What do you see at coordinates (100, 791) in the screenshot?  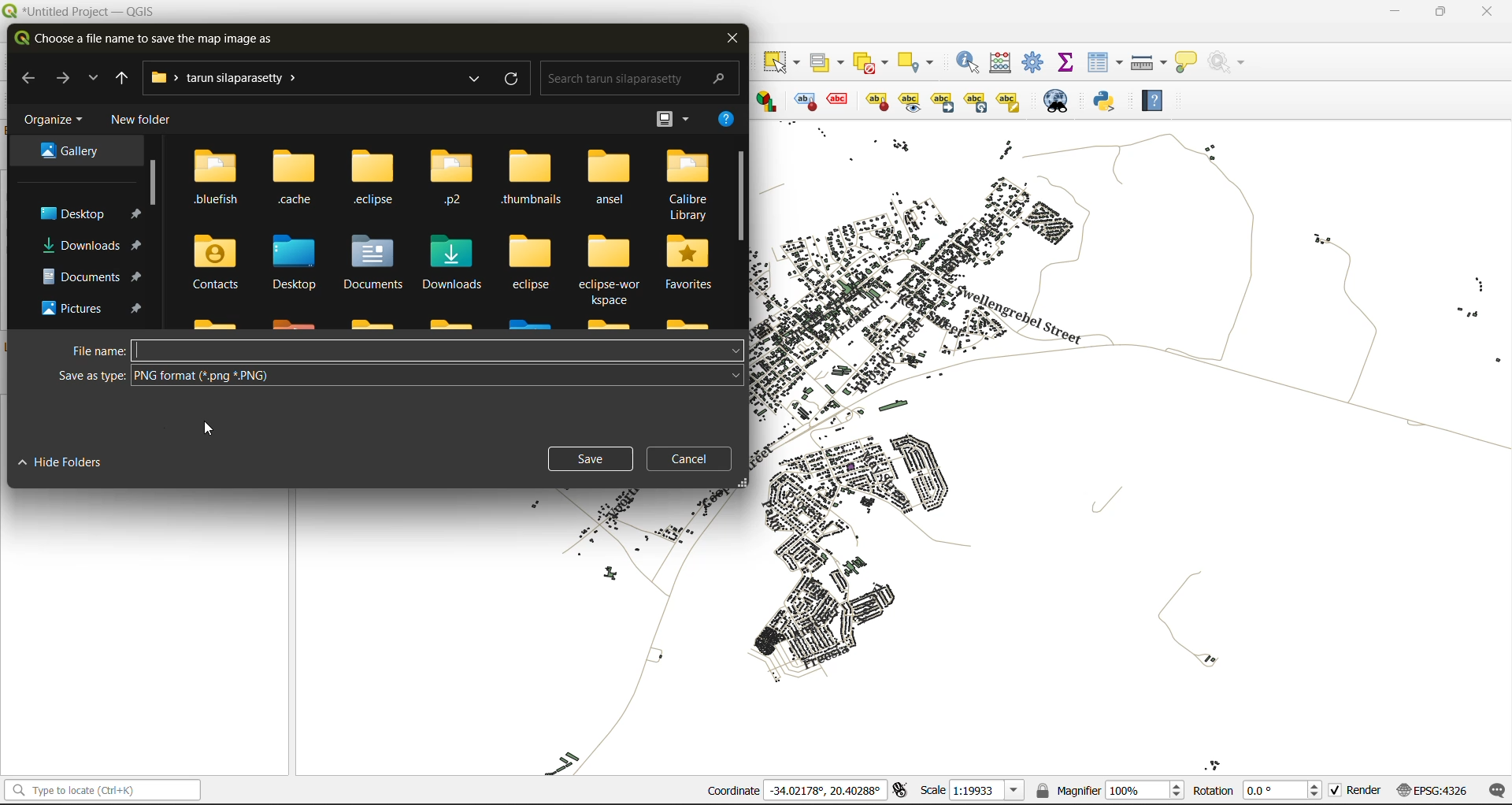 I see `status bar` at bounding box center [100, 791].